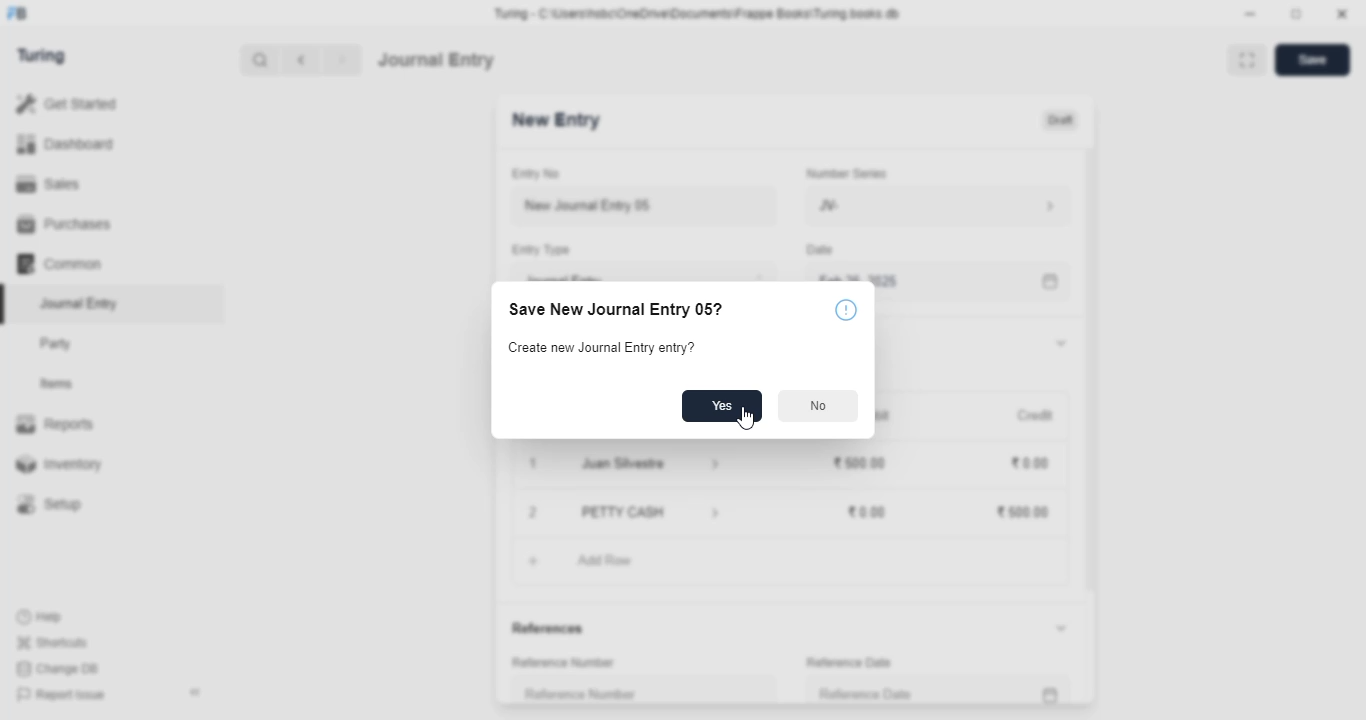 The height and width of the screenshot is (720, 1366). Describe the element at coordinates (49, 183) in the screenshot. I see `sales` at that location.